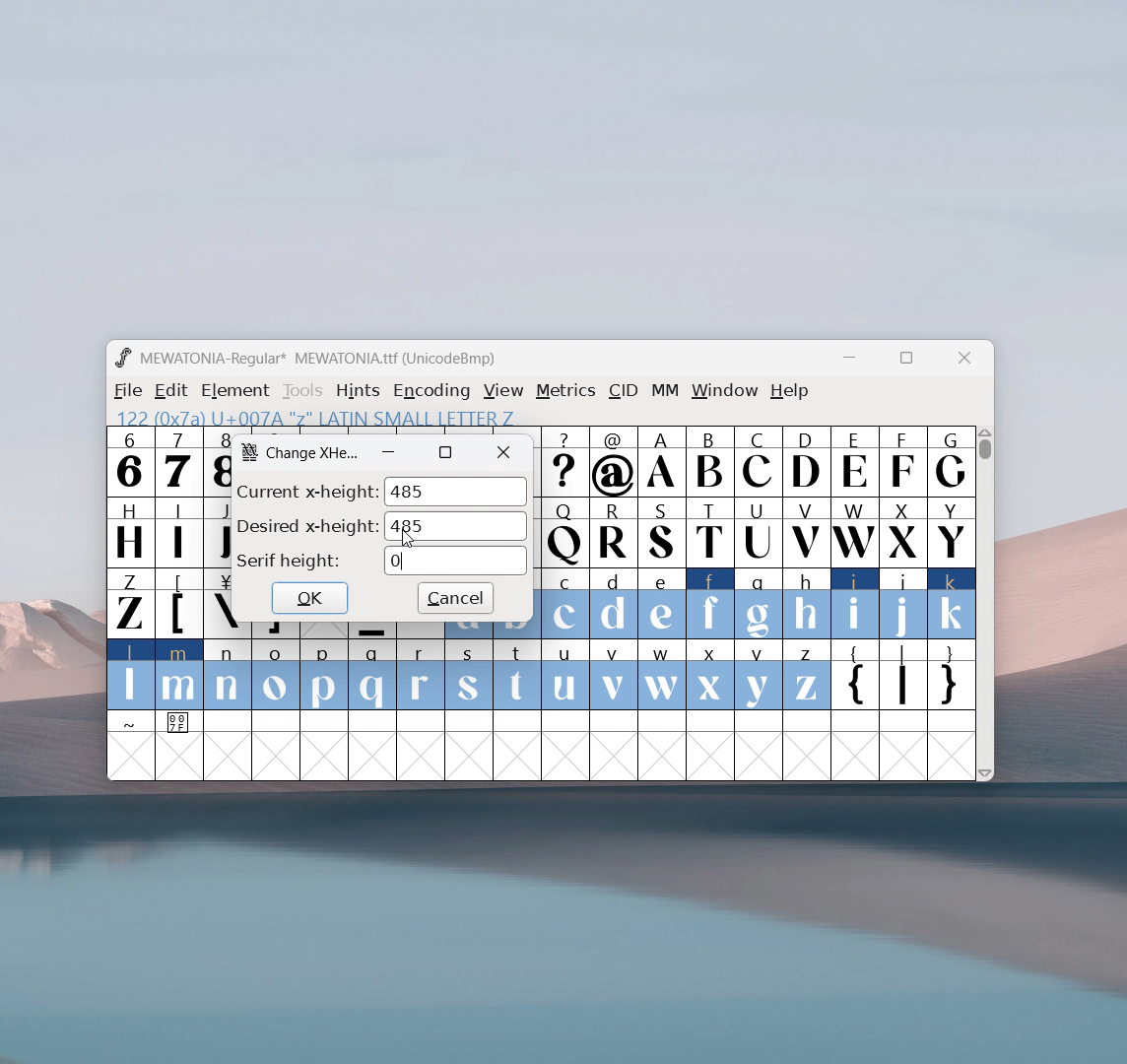  What do you see at coordinates (759, 531) in the screenshot?
I see `U` at bounding box center [759, 531].